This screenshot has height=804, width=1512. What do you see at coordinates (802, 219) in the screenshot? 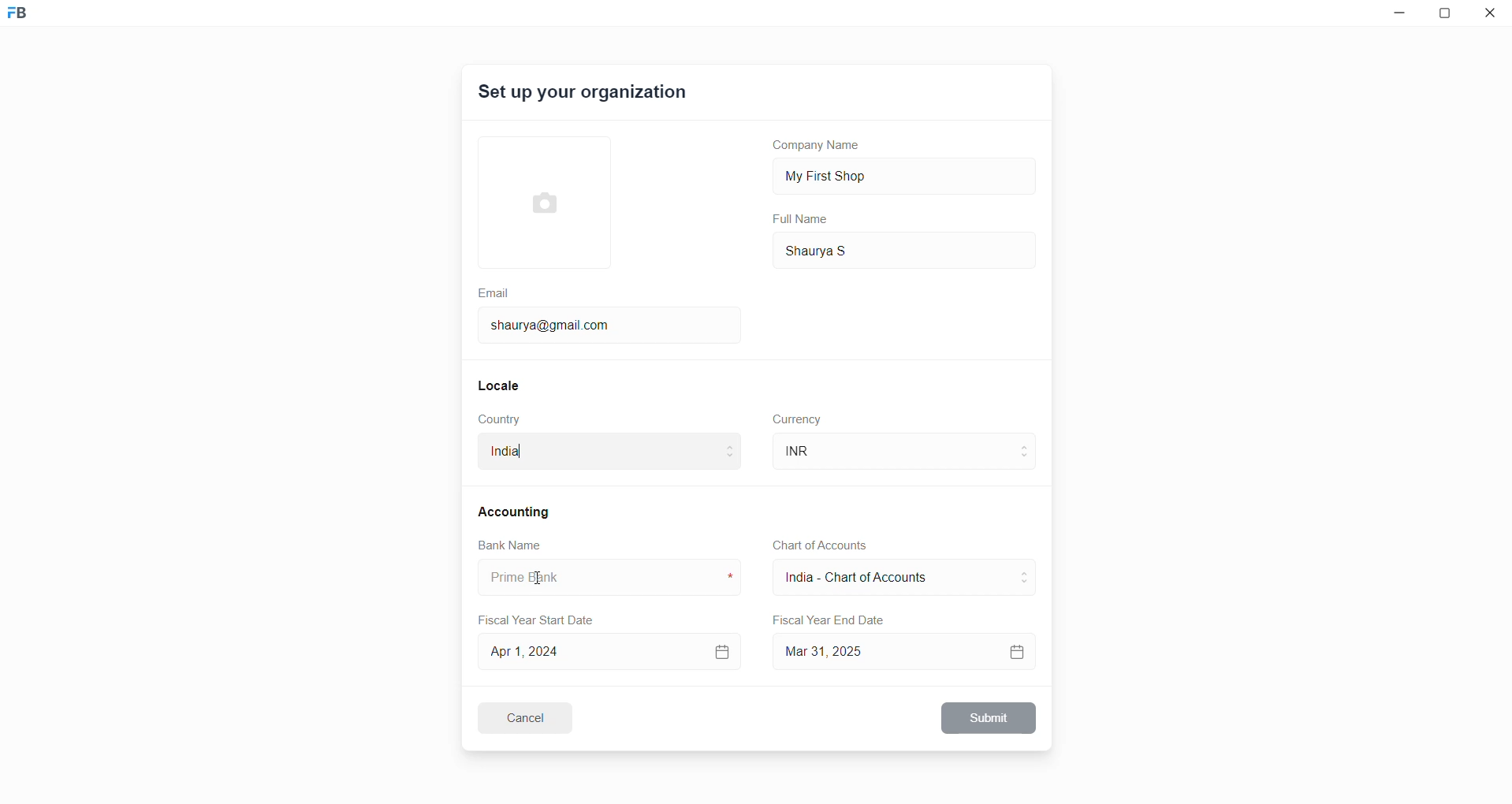
I see `Full Name` at bounding box center [802, 219].